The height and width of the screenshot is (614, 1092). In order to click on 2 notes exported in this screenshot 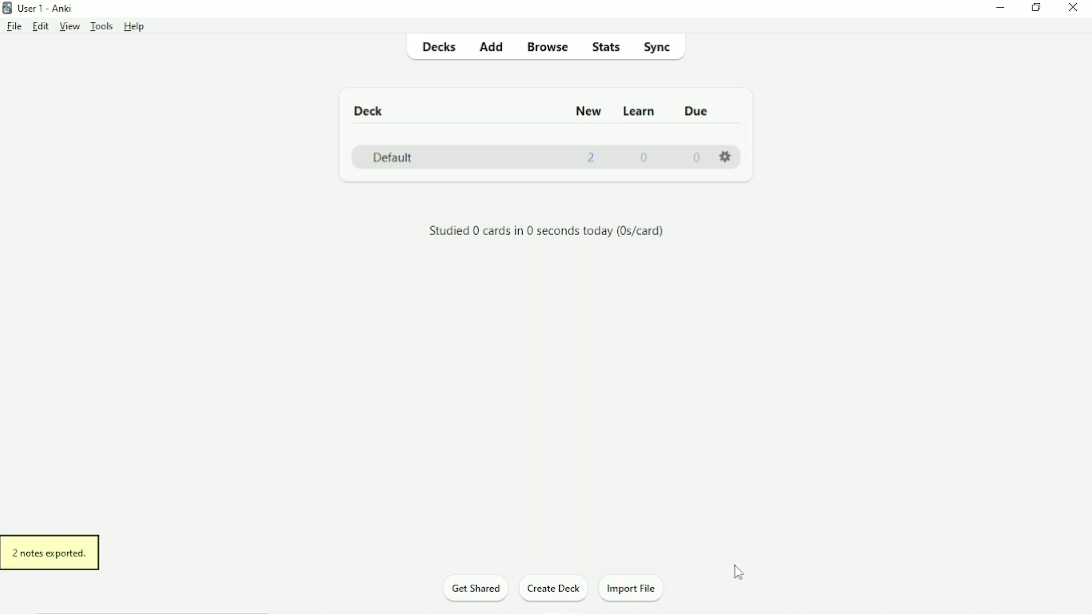, I will do `click(51, 553)`.